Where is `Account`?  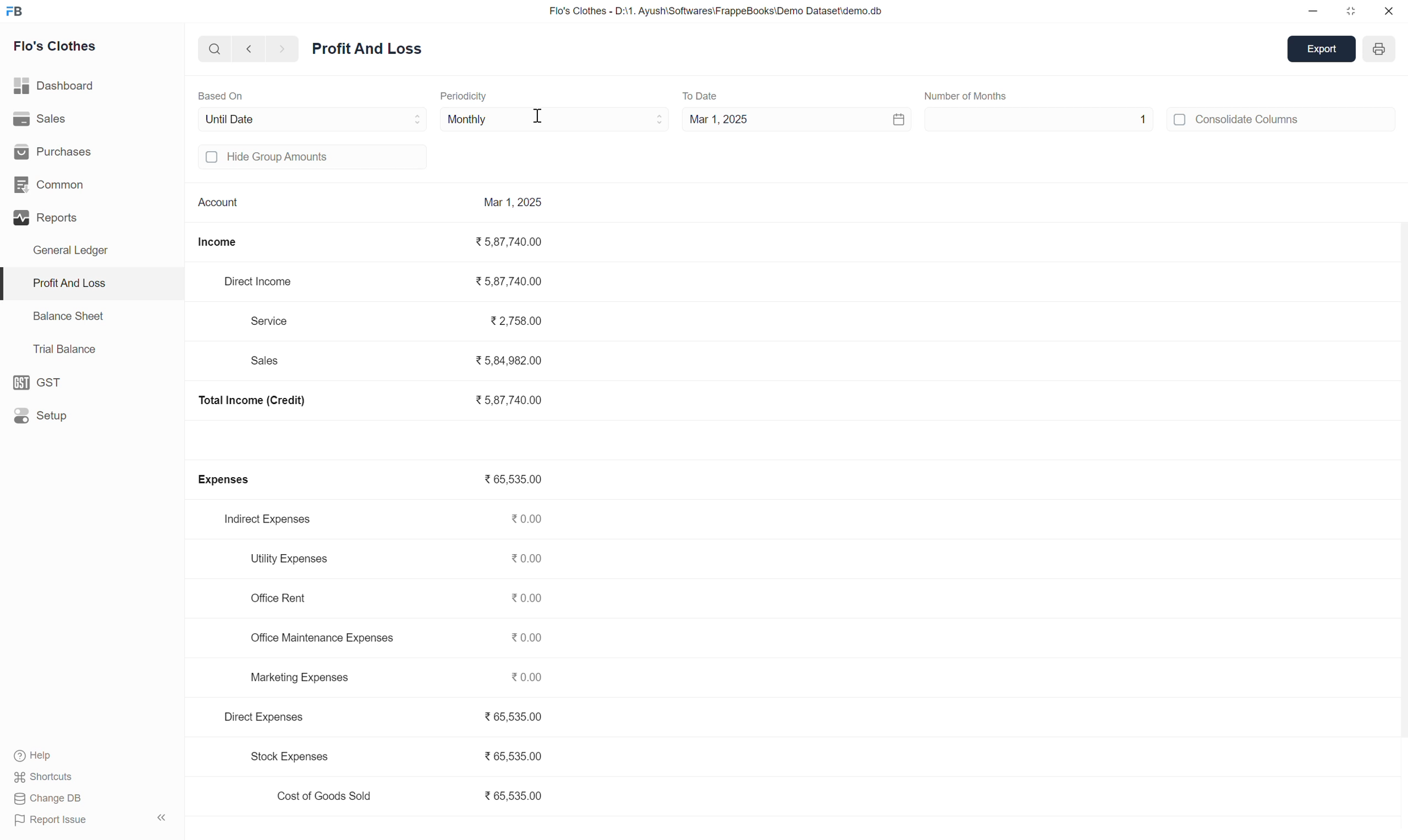 Account is located at coordinates (216, 200).